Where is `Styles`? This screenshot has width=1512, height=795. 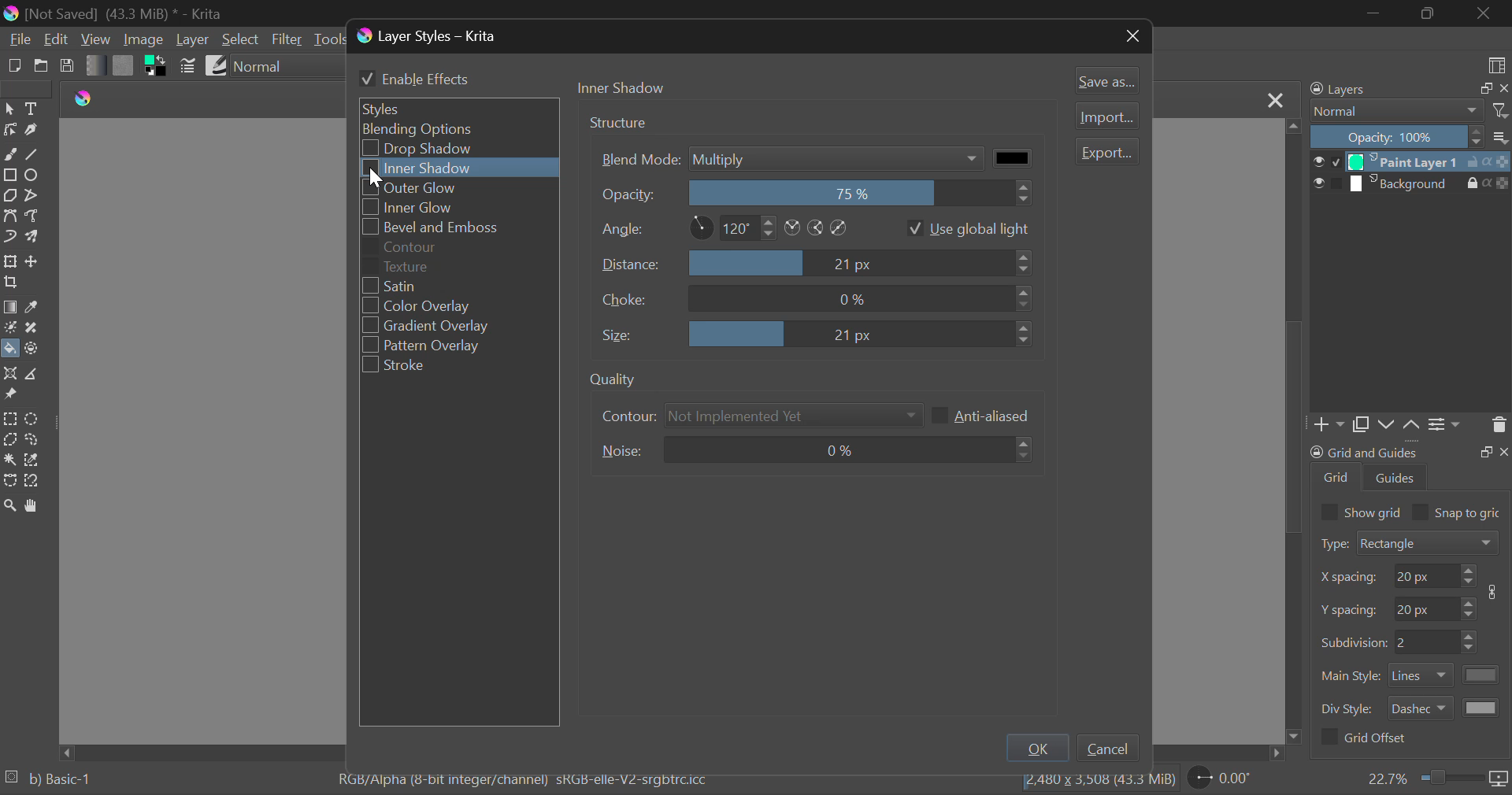 Styles is located at coordinates (457, 107).